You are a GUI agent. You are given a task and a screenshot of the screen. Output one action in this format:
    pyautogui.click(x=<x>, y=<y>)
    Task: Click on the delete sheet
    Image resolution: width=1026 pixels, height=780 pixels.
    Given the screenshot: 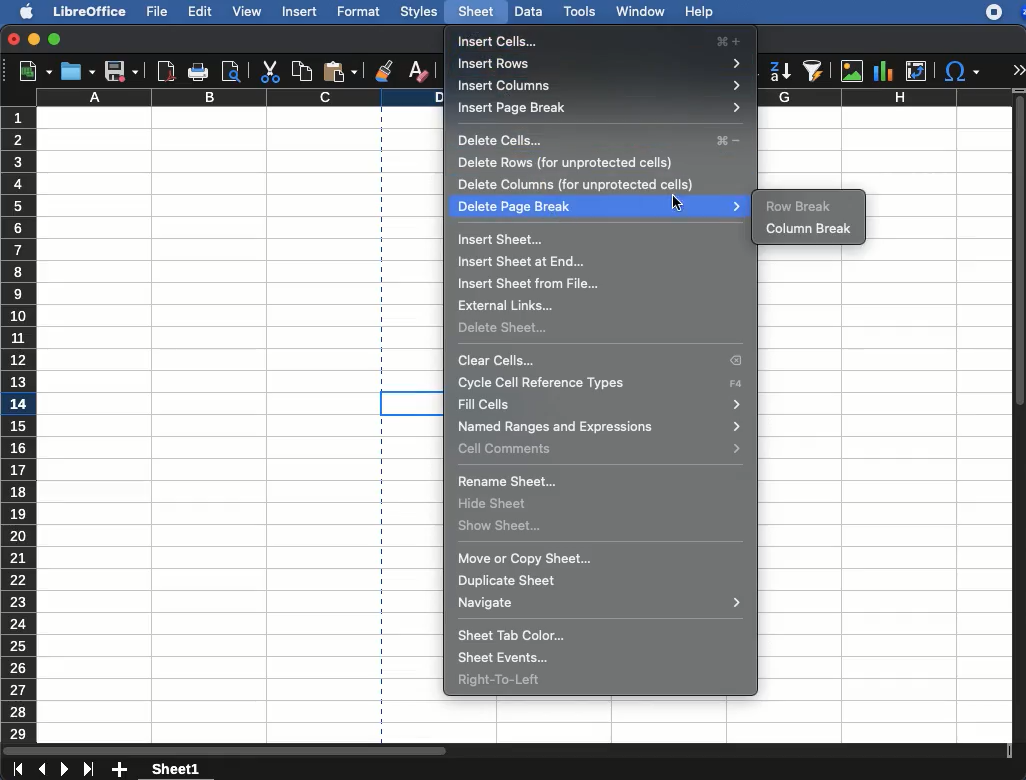 What is the action you would take?
    pyautogui.click(x=505, y=328)
    